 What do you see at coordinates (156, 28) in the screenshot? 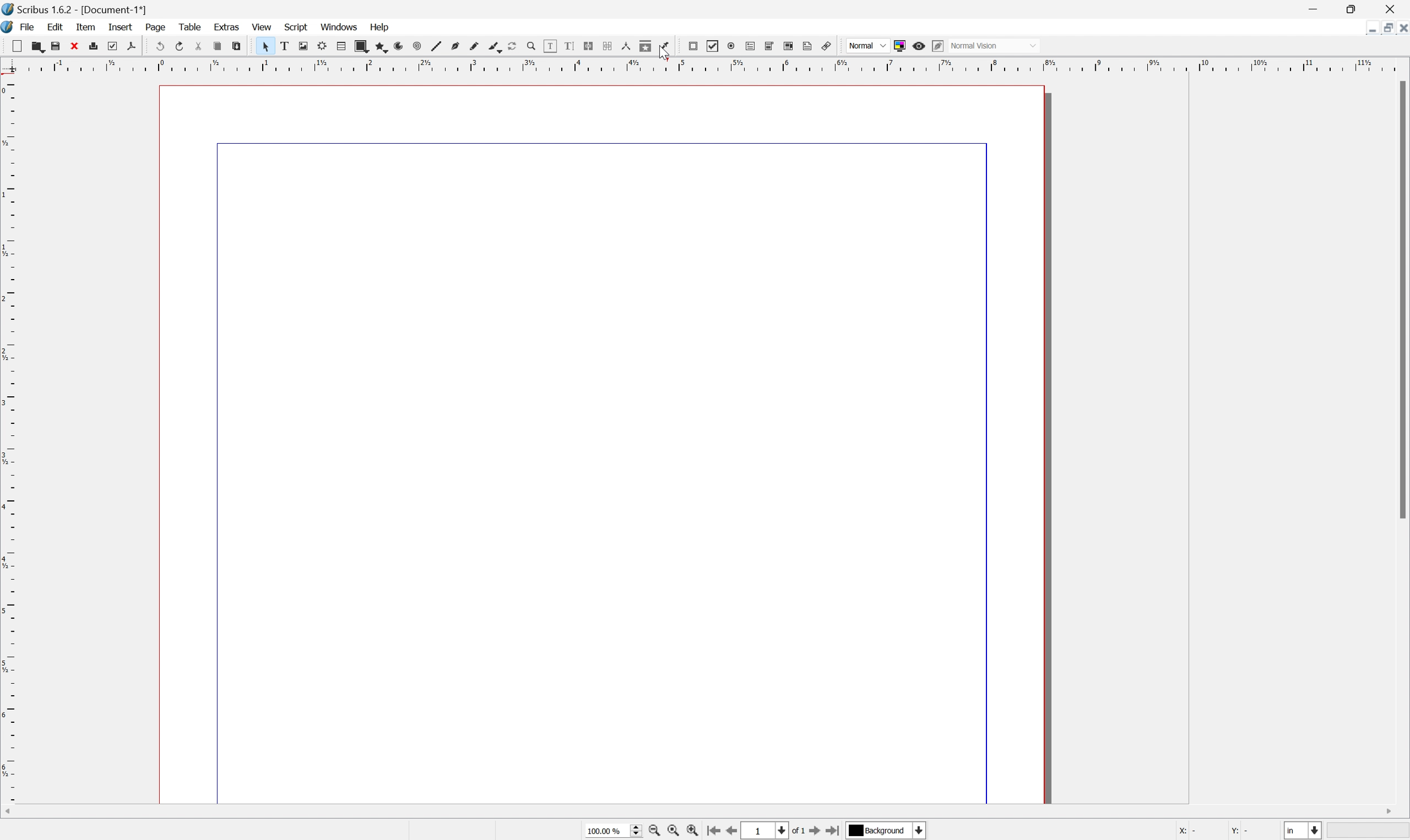
I see `page` at bounding box center [156, 28].